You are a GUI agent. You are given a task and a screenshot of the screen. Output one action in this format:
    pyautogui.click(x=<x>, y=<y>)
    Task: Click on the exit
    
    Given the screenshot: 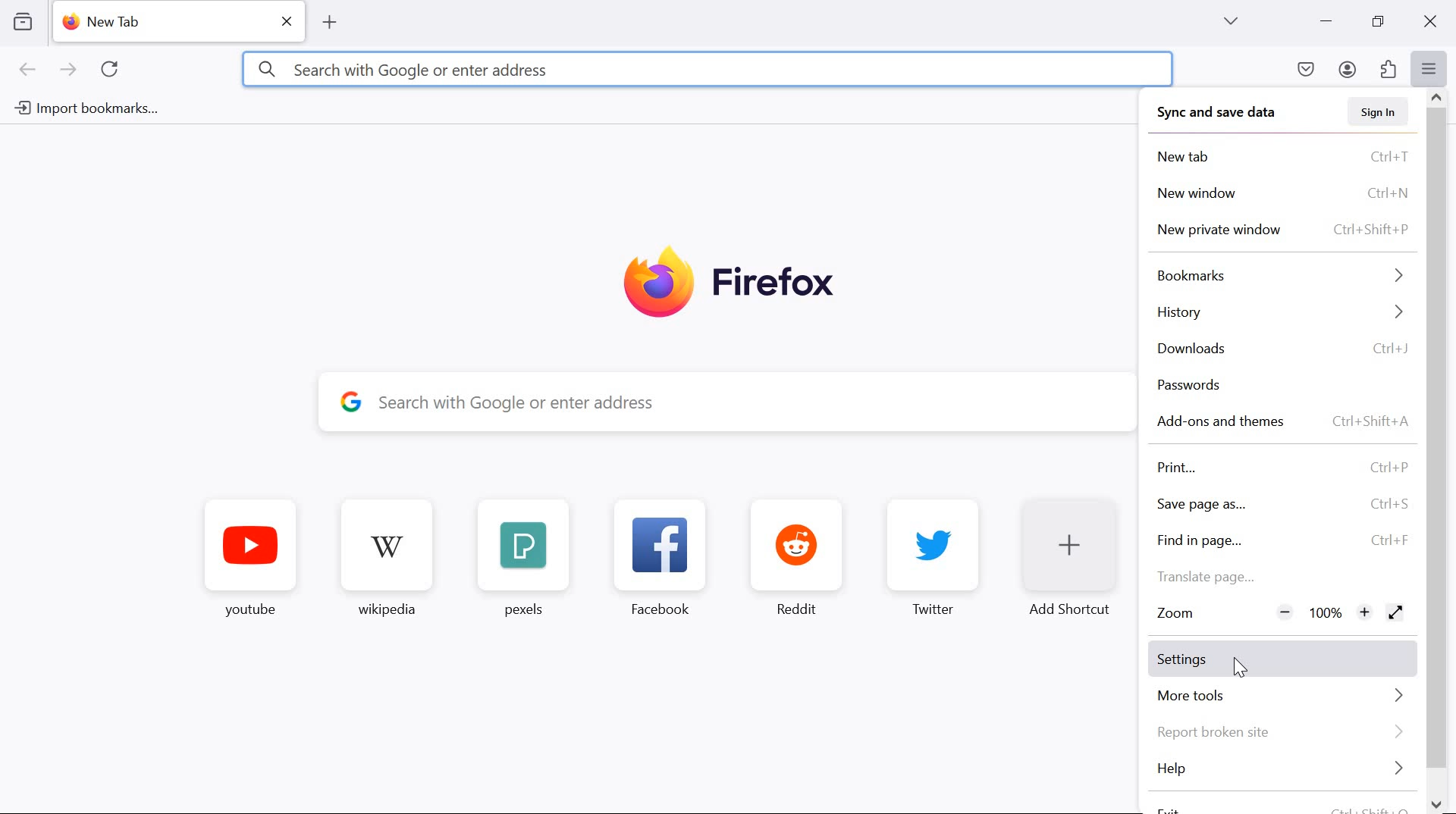 What is the action you would take?
    pyautogui.click(x=1284, y=805)
    